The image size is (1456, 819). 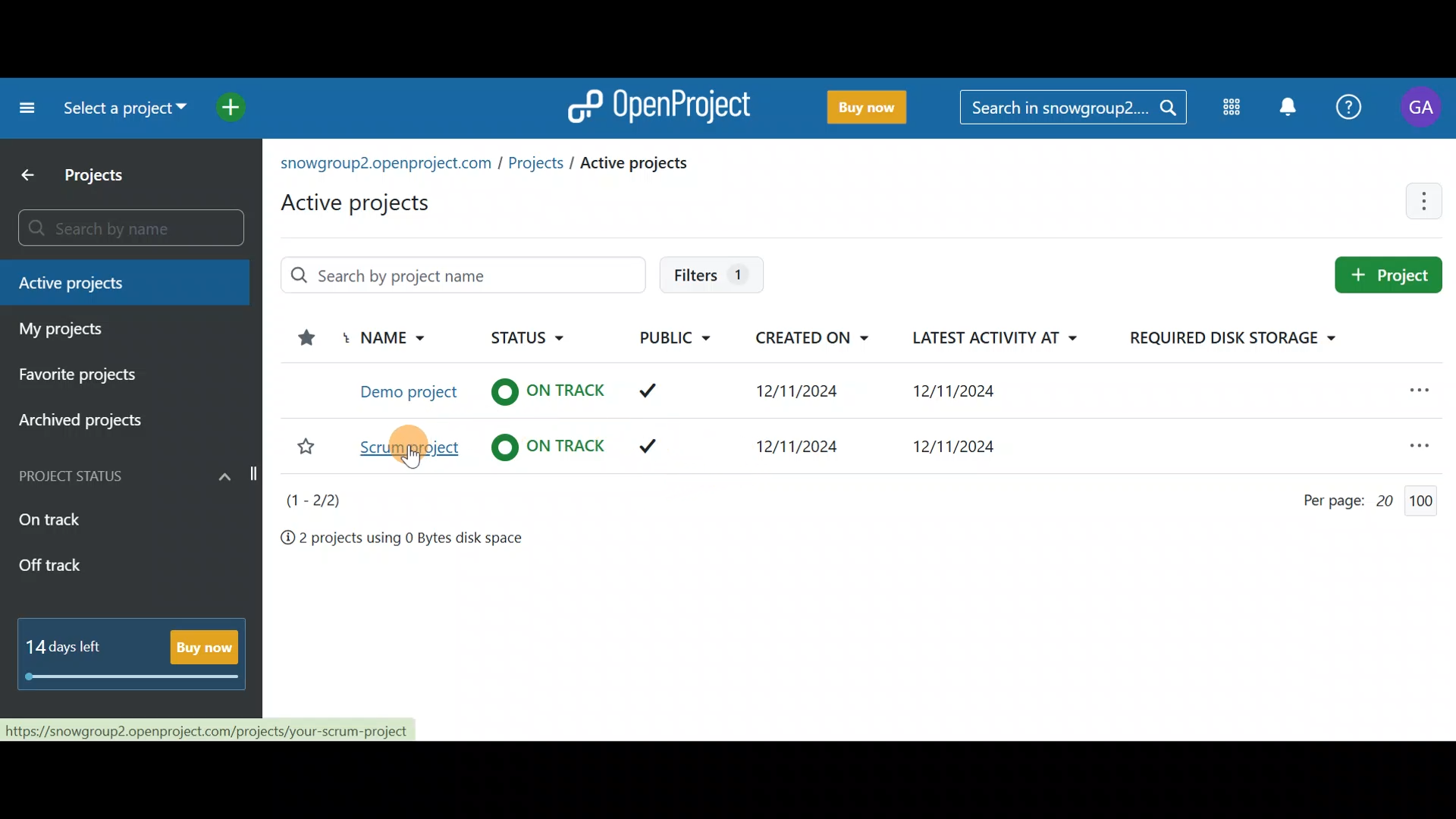 What do you see at coordinates (1427, 203) in the screenshot?
I see `More` at bounding box center [1427, 203].